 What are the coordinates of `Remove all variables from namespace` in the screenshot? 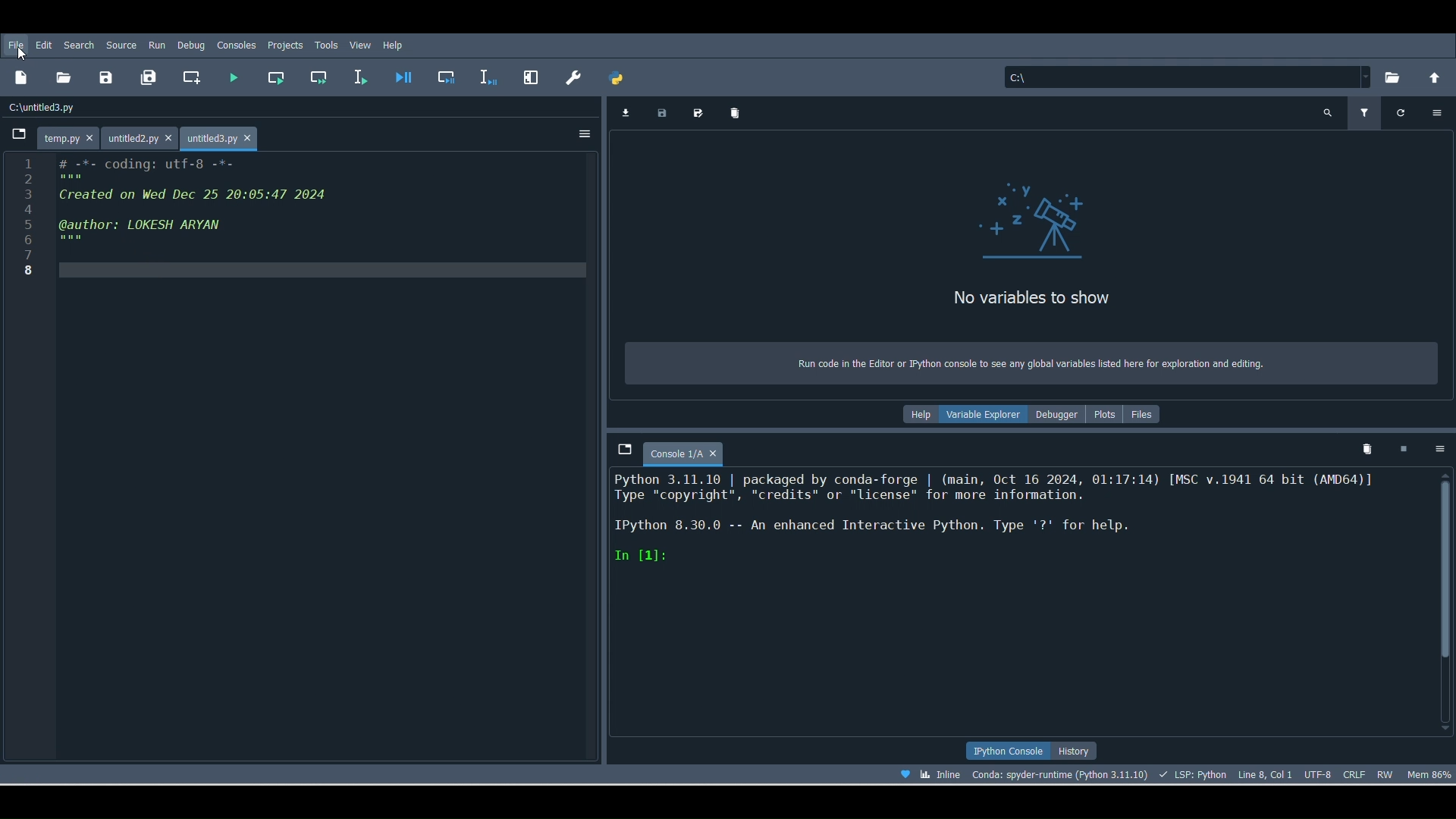 It's located at (1369, 450).